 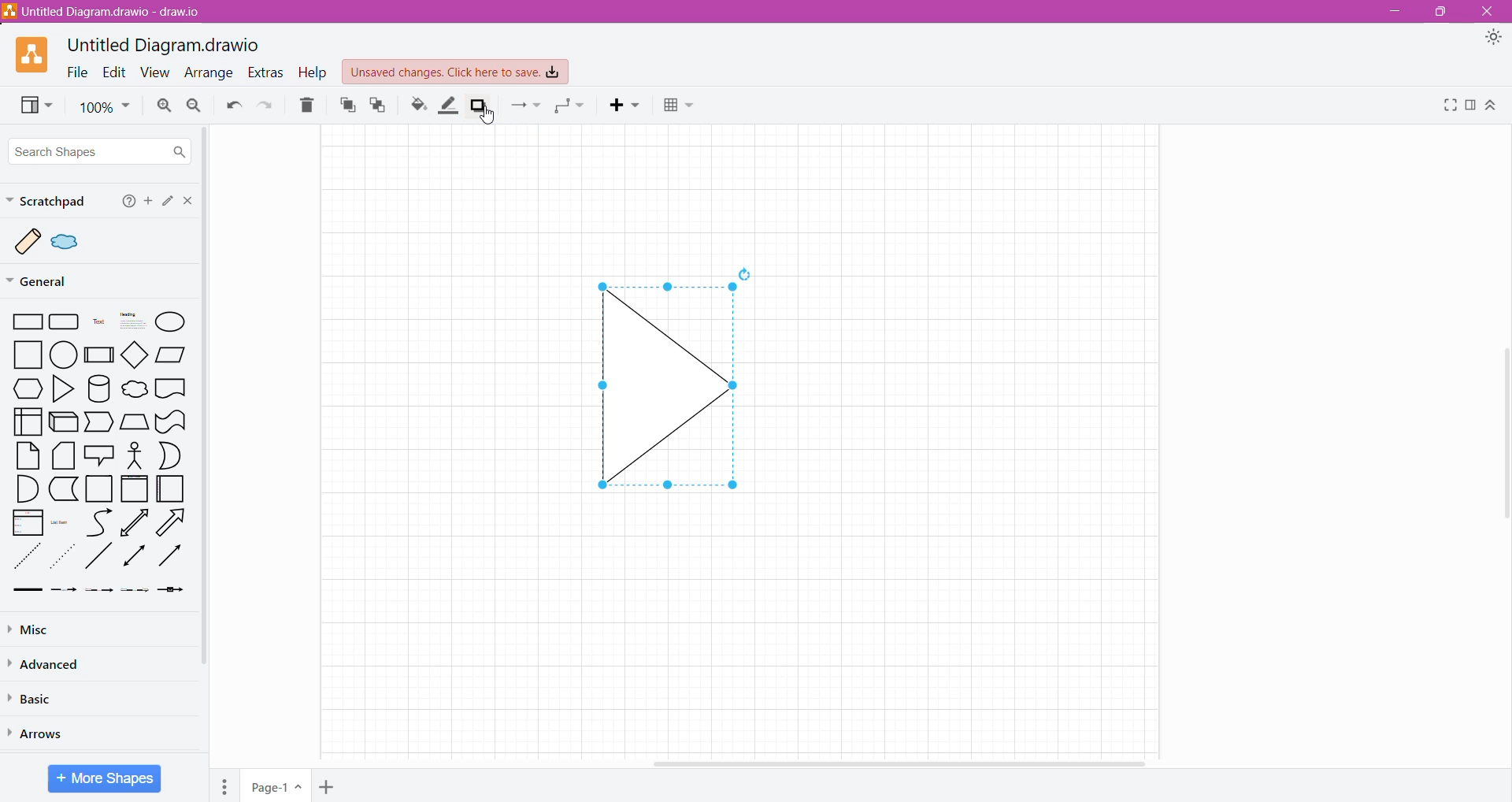 What do you see at coordinates (274, 785) in the screenshot?
I see `Page Name` at bounding box center [274, 785].